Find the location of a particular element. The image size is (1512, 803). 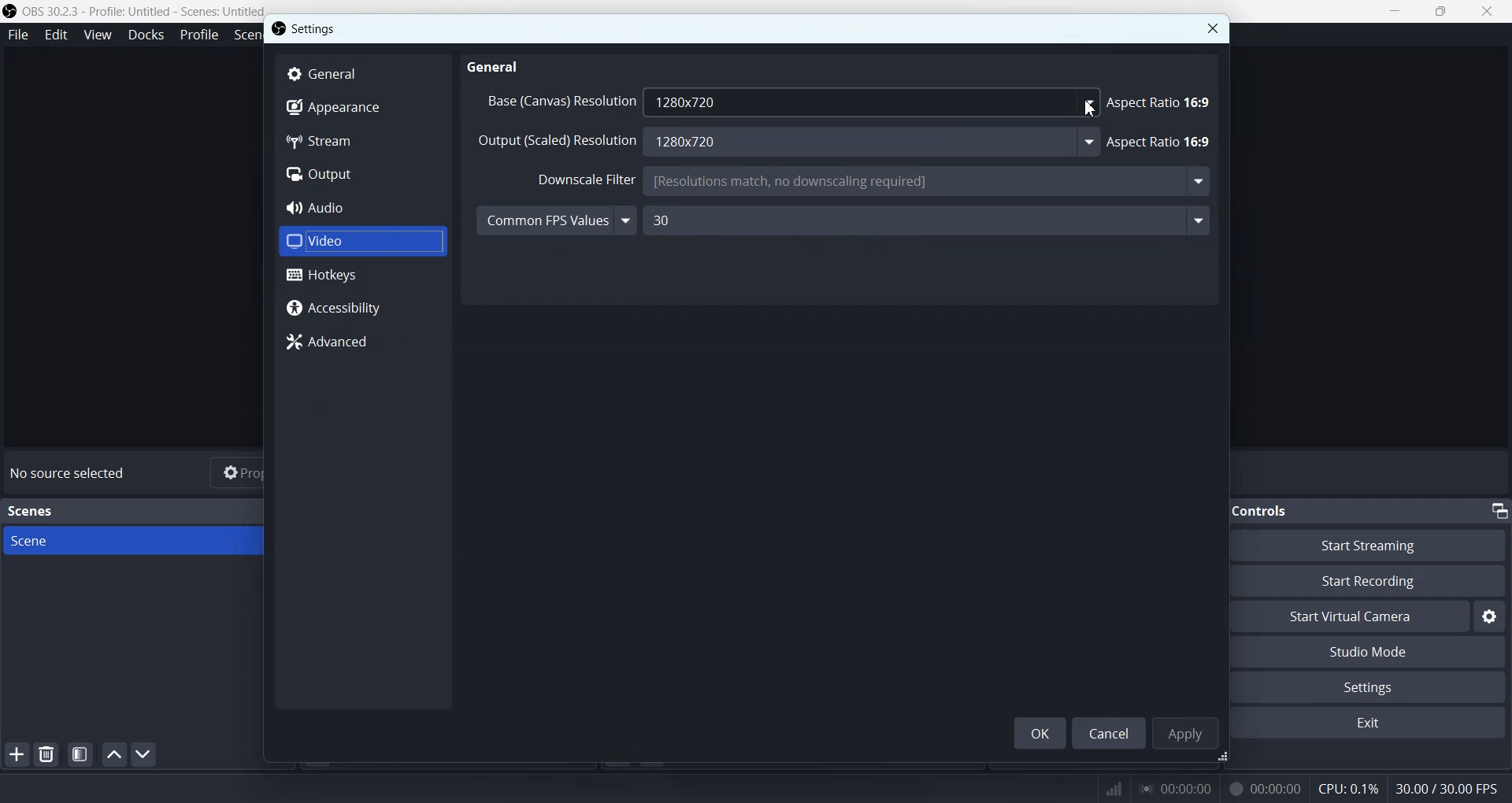

Text is located at coordinates (71, 473).